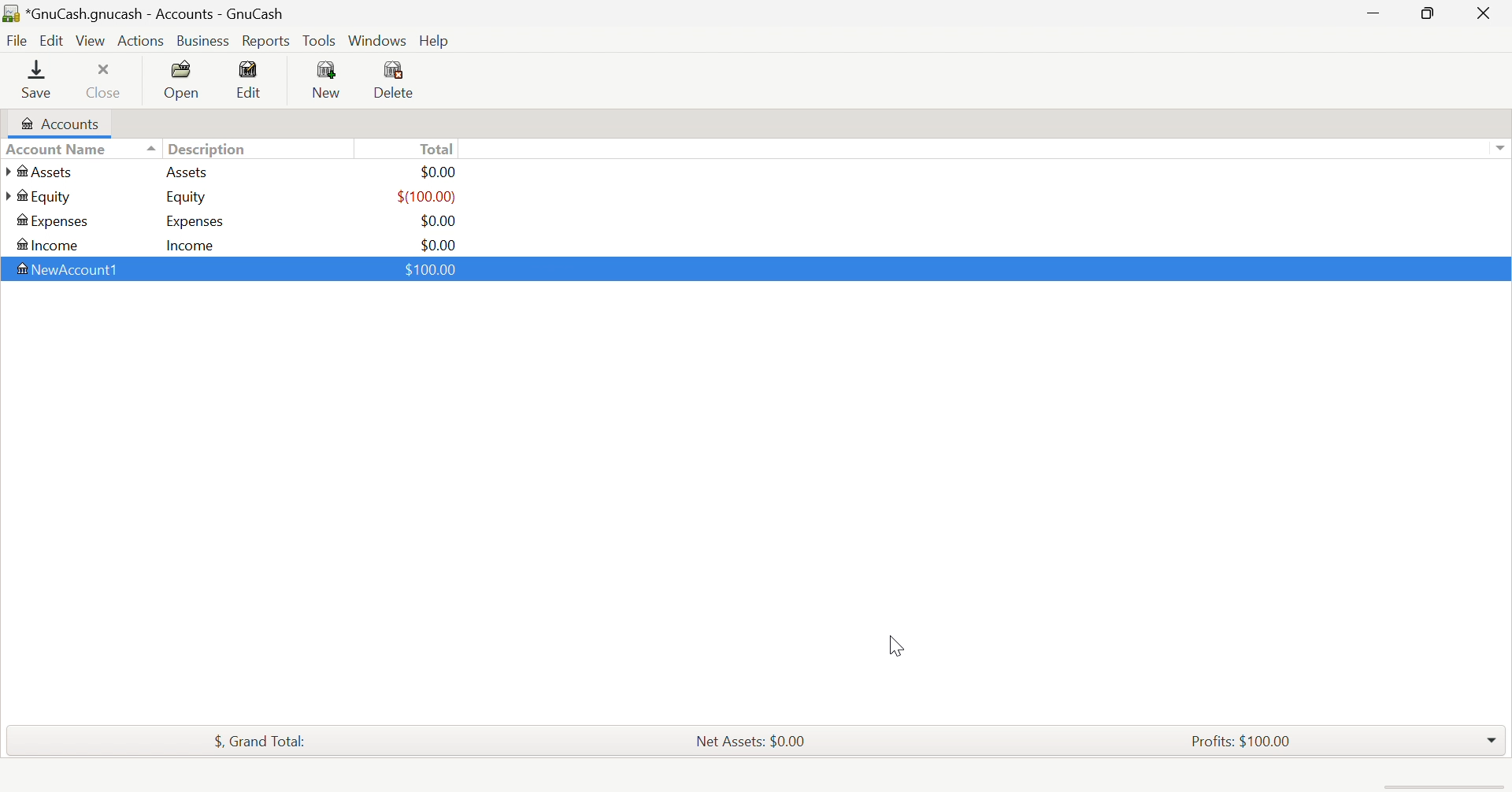 The image size is (1512, 792). What do you see at coordinates (50, 244) in the screenshot?
I see `Income` at bounding box center [50, 244].